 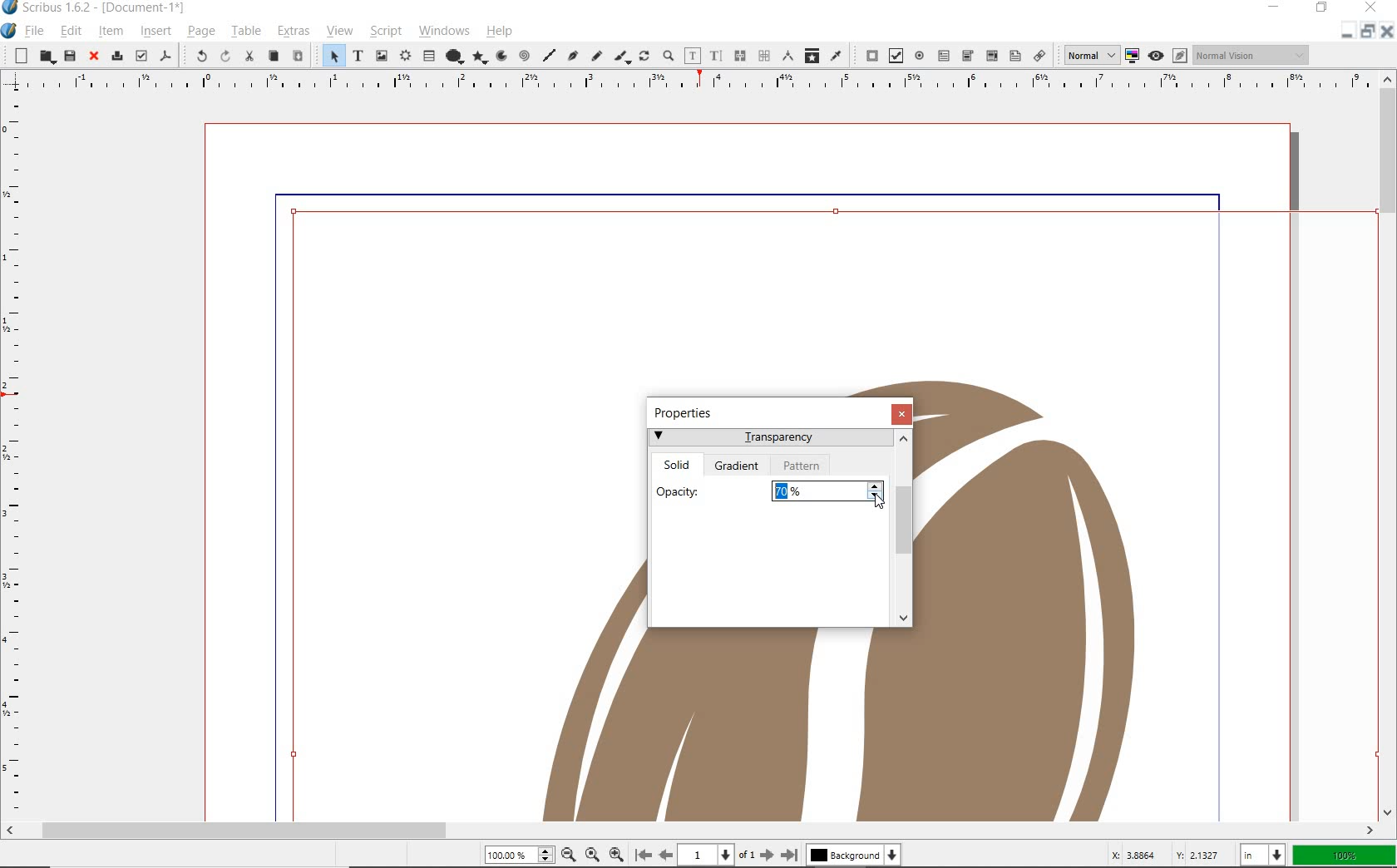 What do you see at coordinates (944, 55) in the screenshot?
I see `pdf text field` at bounding box center [944, 55].